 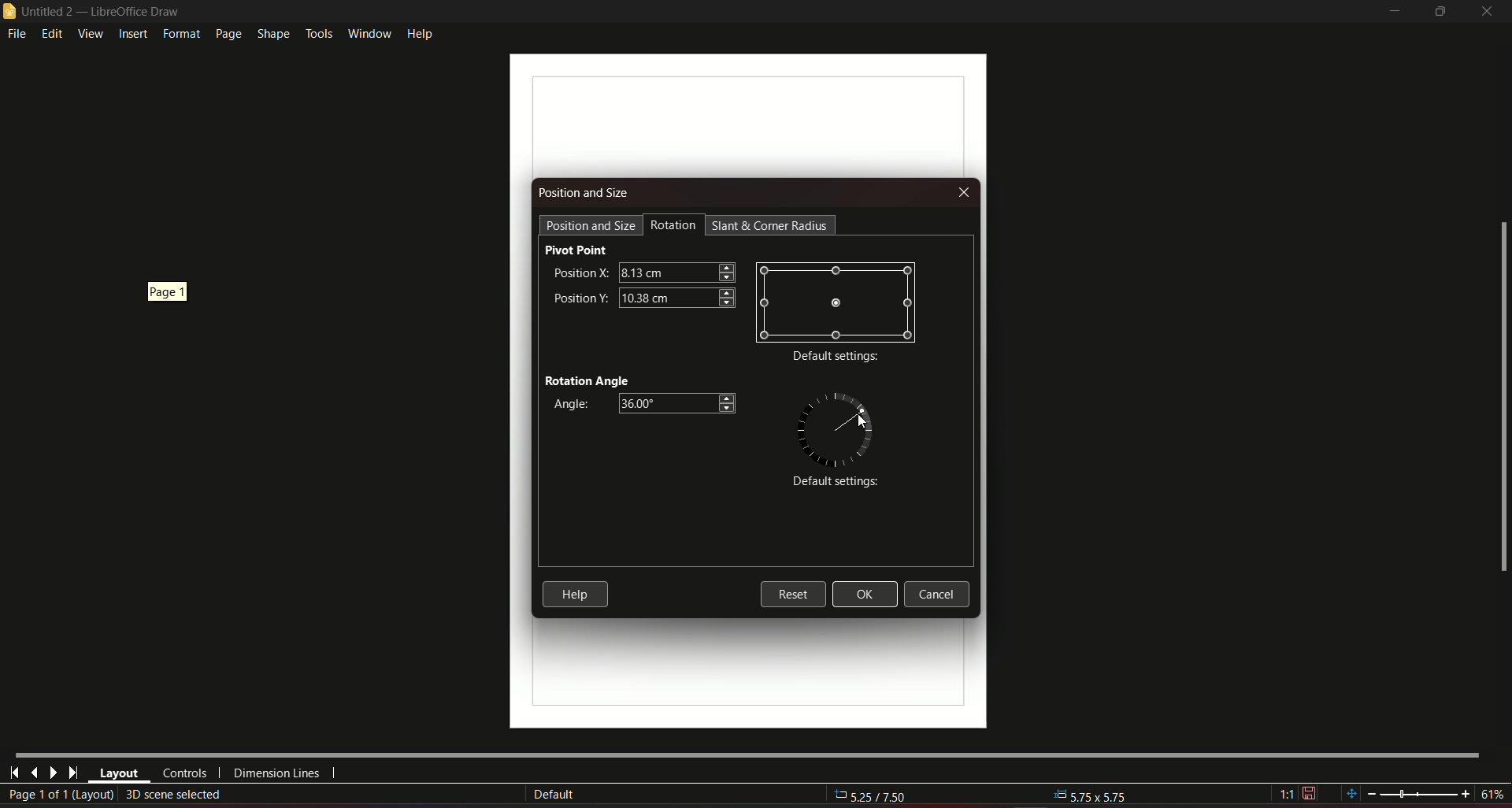 What do you see at coordinates (591, 224) in the screenshot?
I see `position and size` at bounding box center [591, 224].